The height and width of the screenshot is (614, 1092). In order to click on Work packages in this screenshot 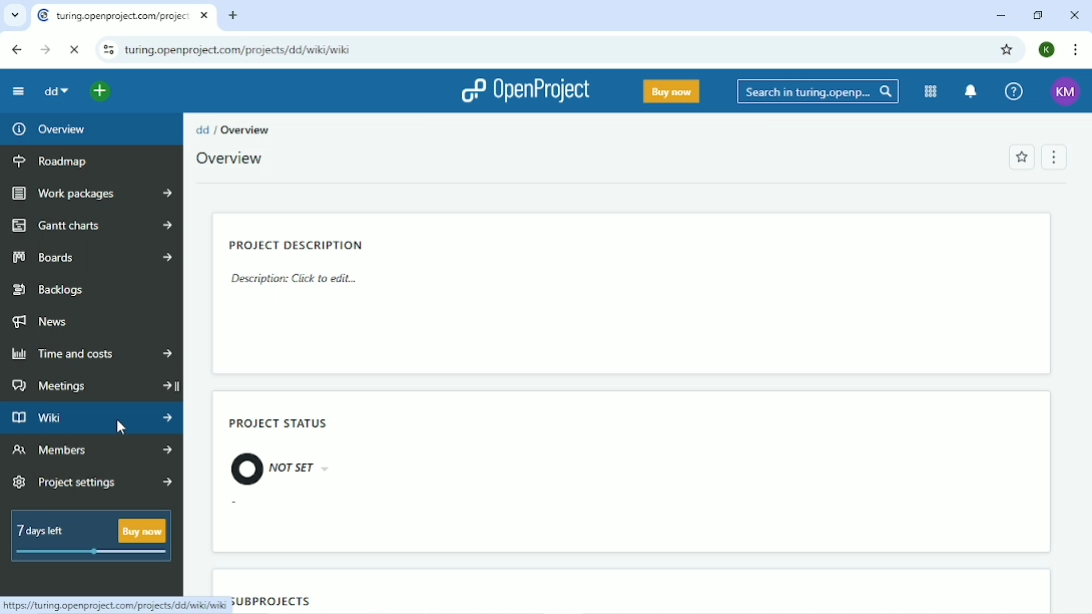, I will do `click(89, 193)`.